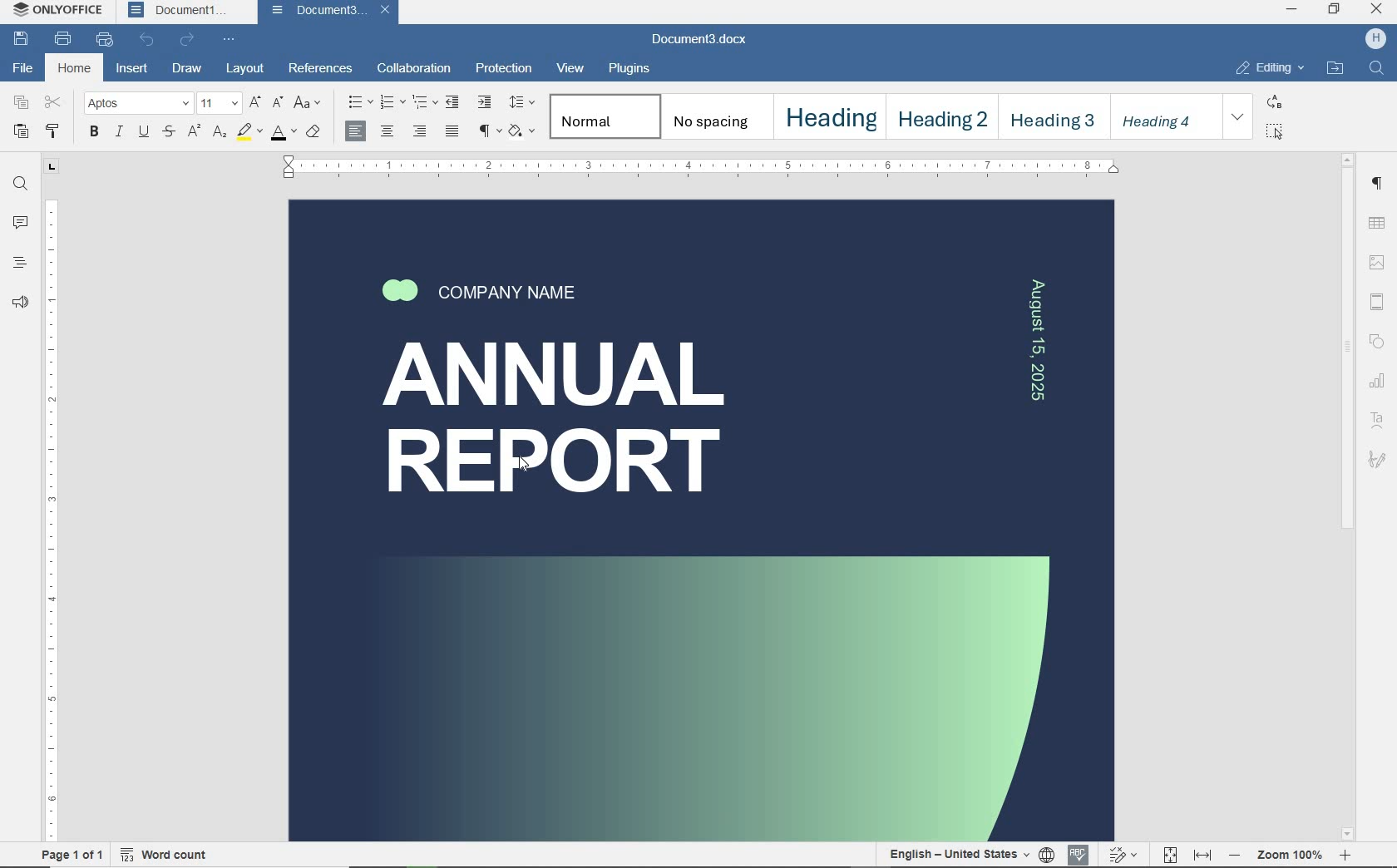 This screenshot has height=868, width=1397. I want to click on spell checker, so click(1080, 855).